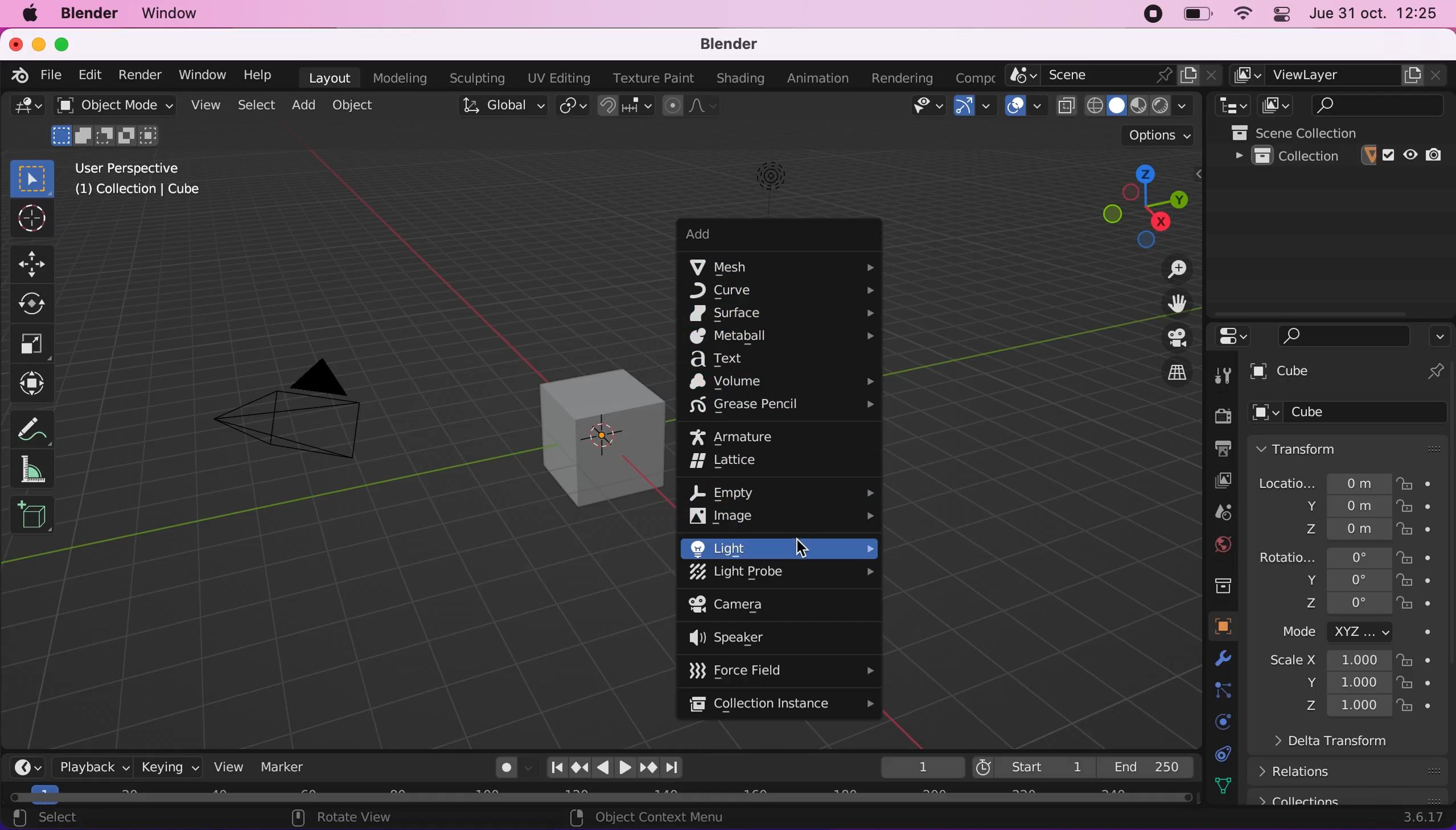  What do you see at coordinates (21, 76) in the screenshot?
I see `blender logo` at bounding box center [21, 76].